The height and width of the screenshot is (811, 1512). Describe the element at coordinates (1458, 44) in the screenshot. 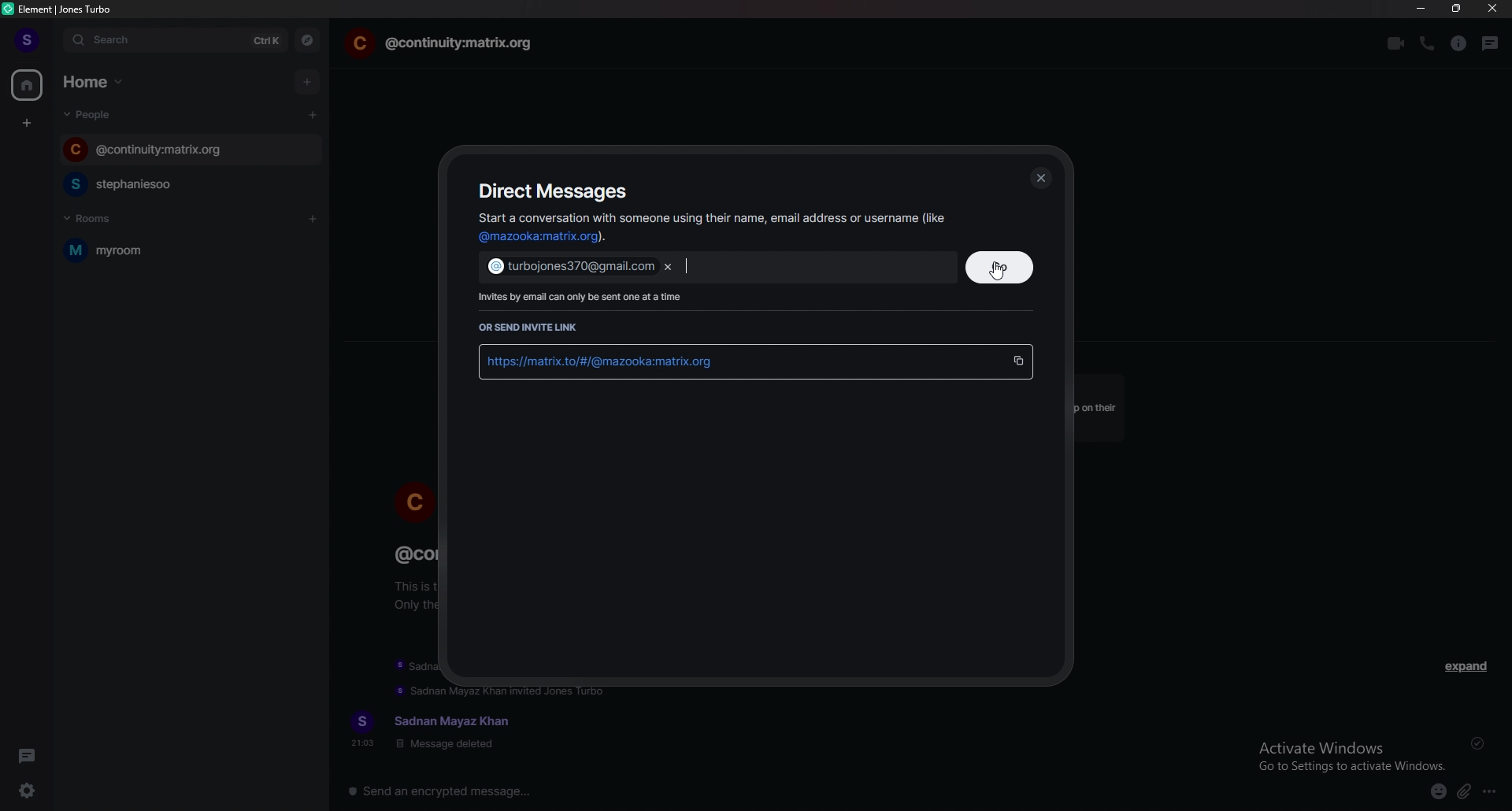

I see `room info` at that location.